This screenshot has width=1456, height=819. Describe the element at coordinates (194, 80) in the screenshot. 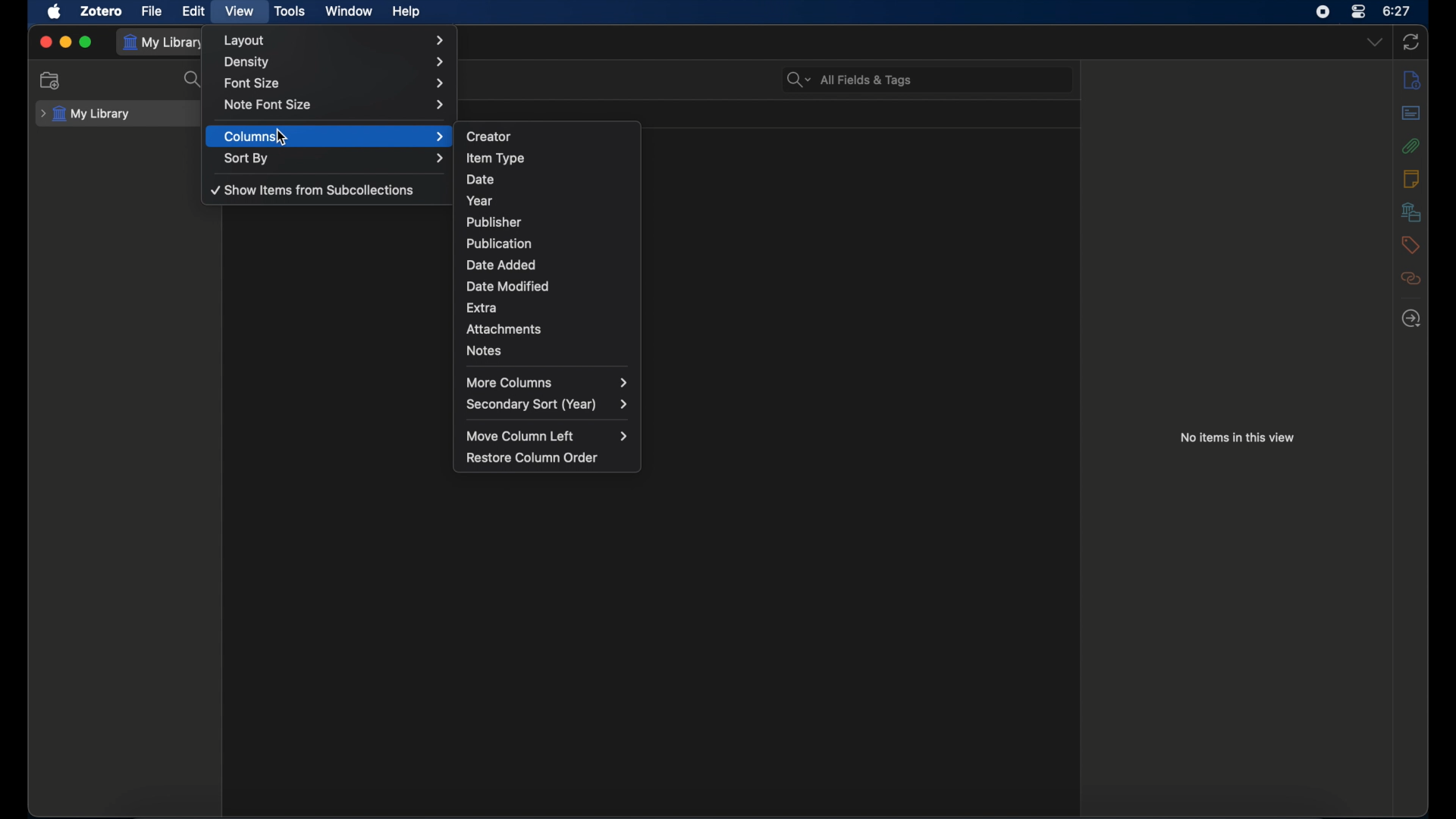

I see `search` at that location.